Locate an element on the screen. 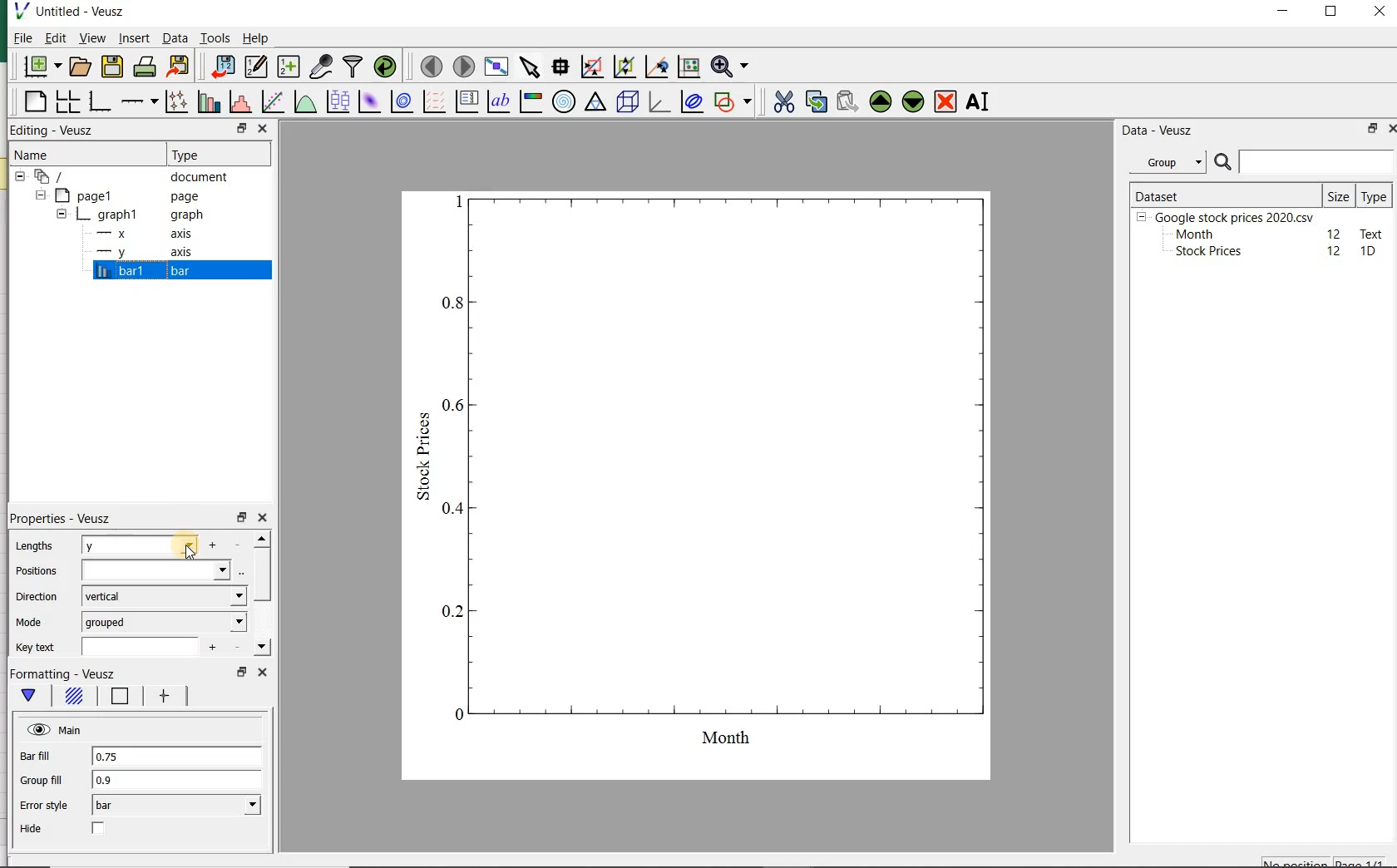 This screenshot has width=1397, height=868. plot key is located at coordinates (466, 103).